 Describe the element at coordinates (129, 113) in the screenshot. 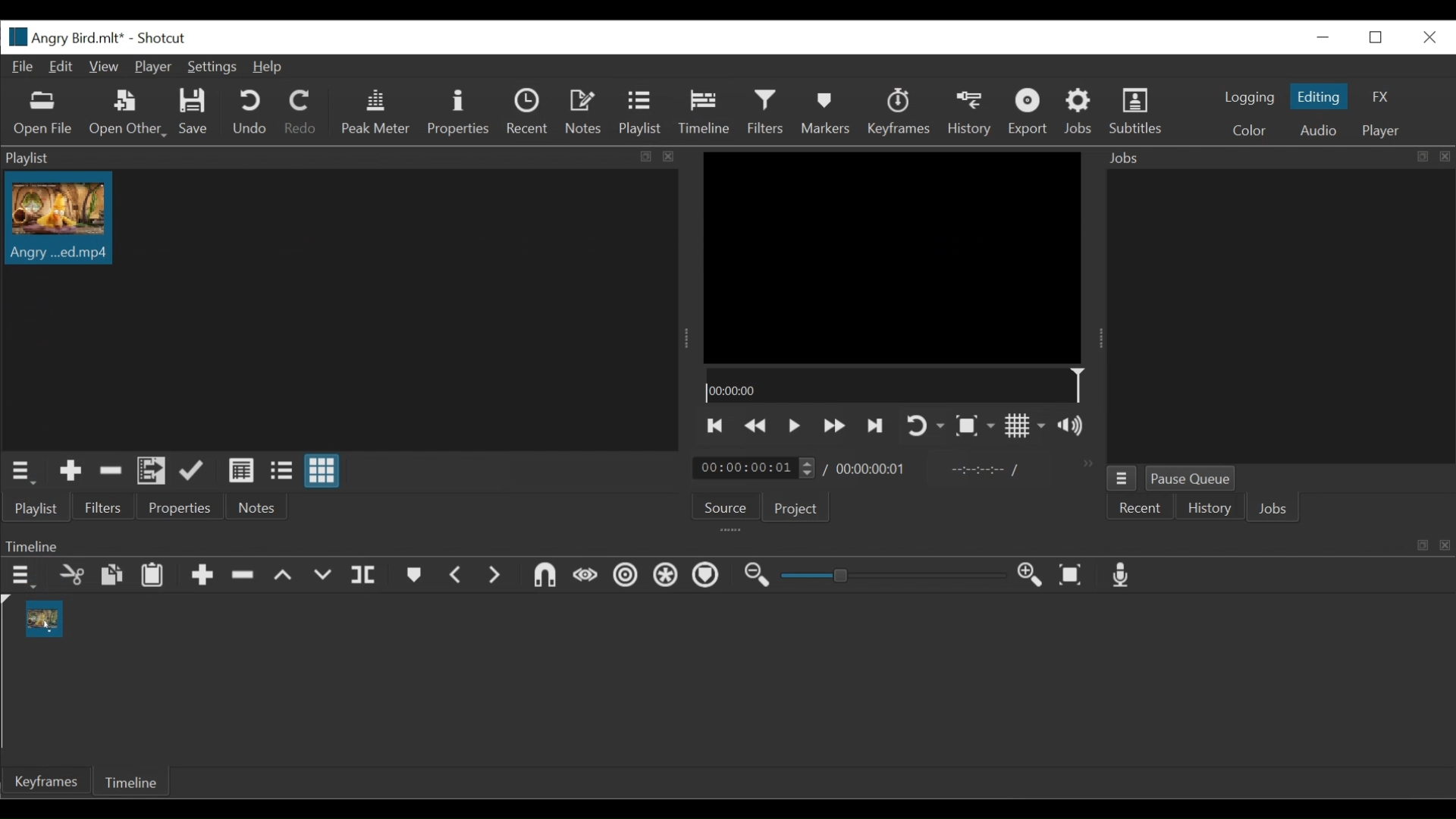

I see `Open Other` at that location.